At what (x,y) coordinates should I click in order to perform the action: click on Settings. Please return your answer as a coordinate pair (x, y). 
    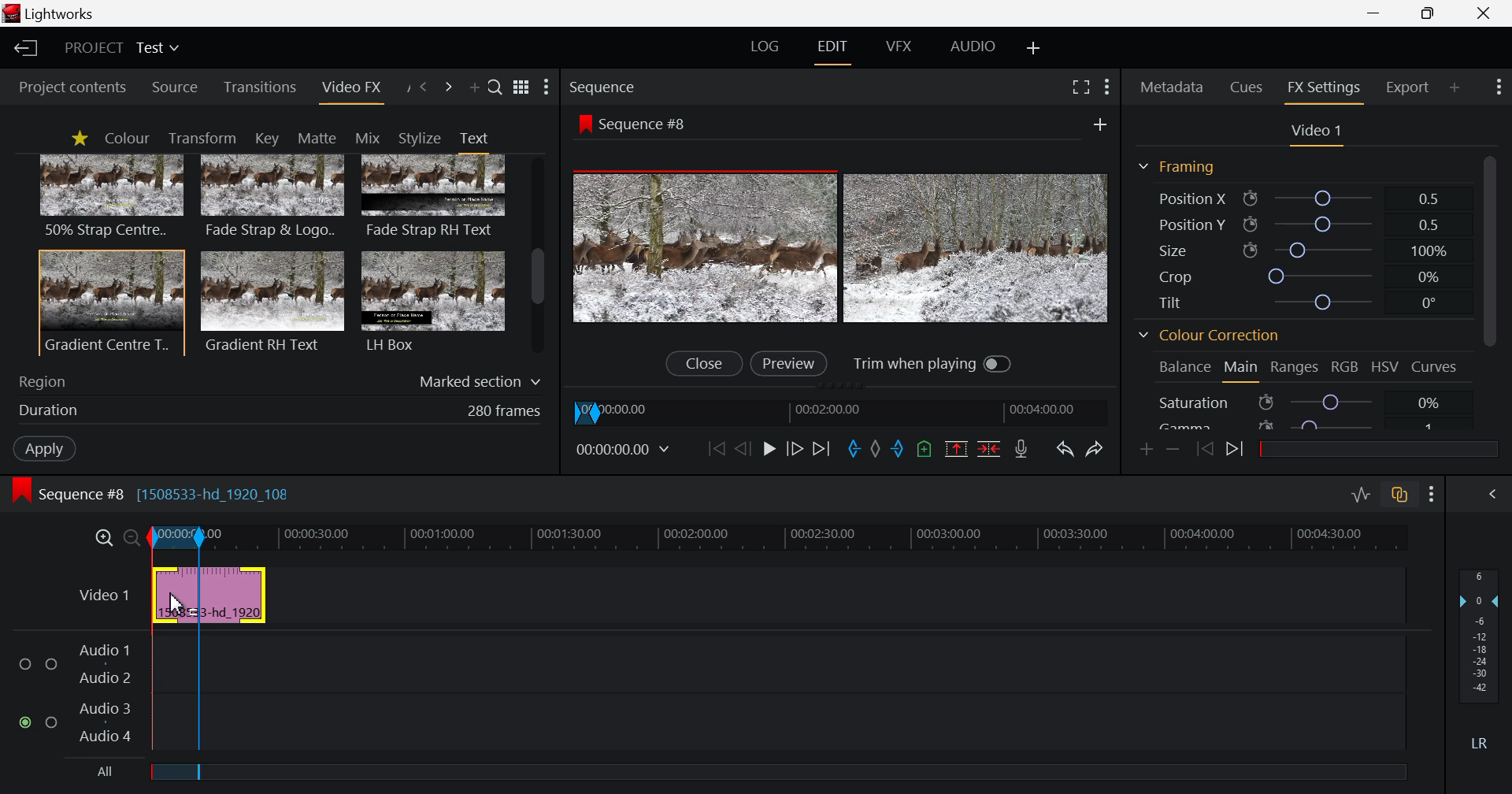
    Looking at the image, I should click on (1106, 85).